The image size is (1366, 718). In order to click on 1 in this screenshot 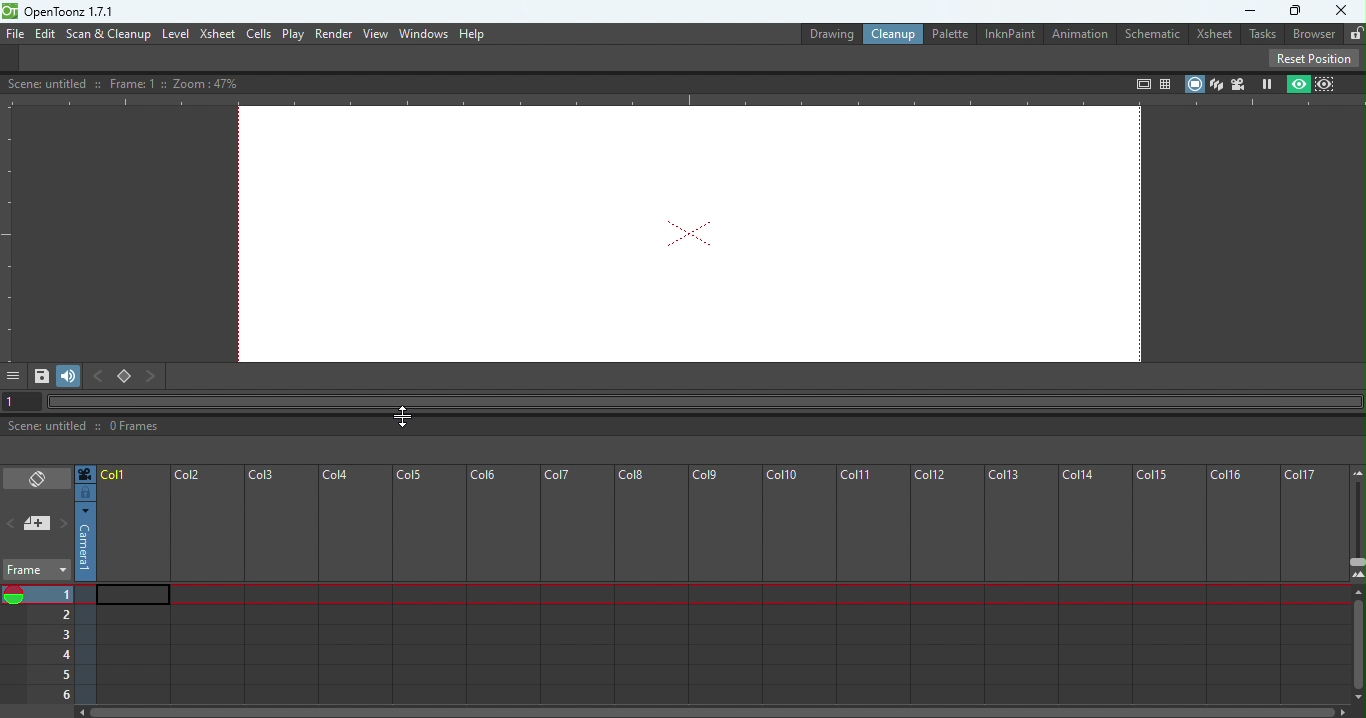, I will do `click(15, 398)`.